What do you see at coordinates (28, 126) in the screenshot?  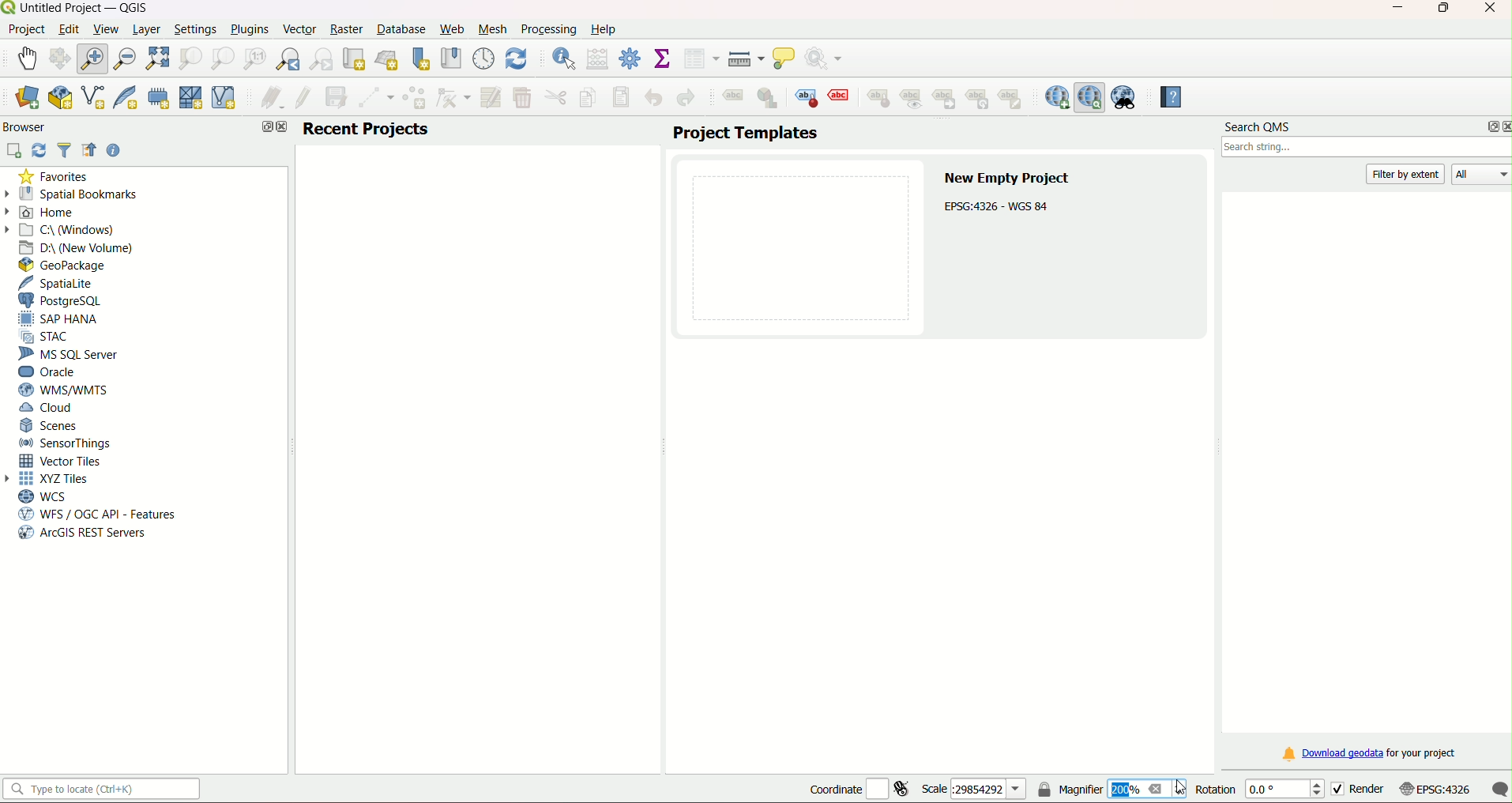 I see `browser` at bounding box center [28, 126].